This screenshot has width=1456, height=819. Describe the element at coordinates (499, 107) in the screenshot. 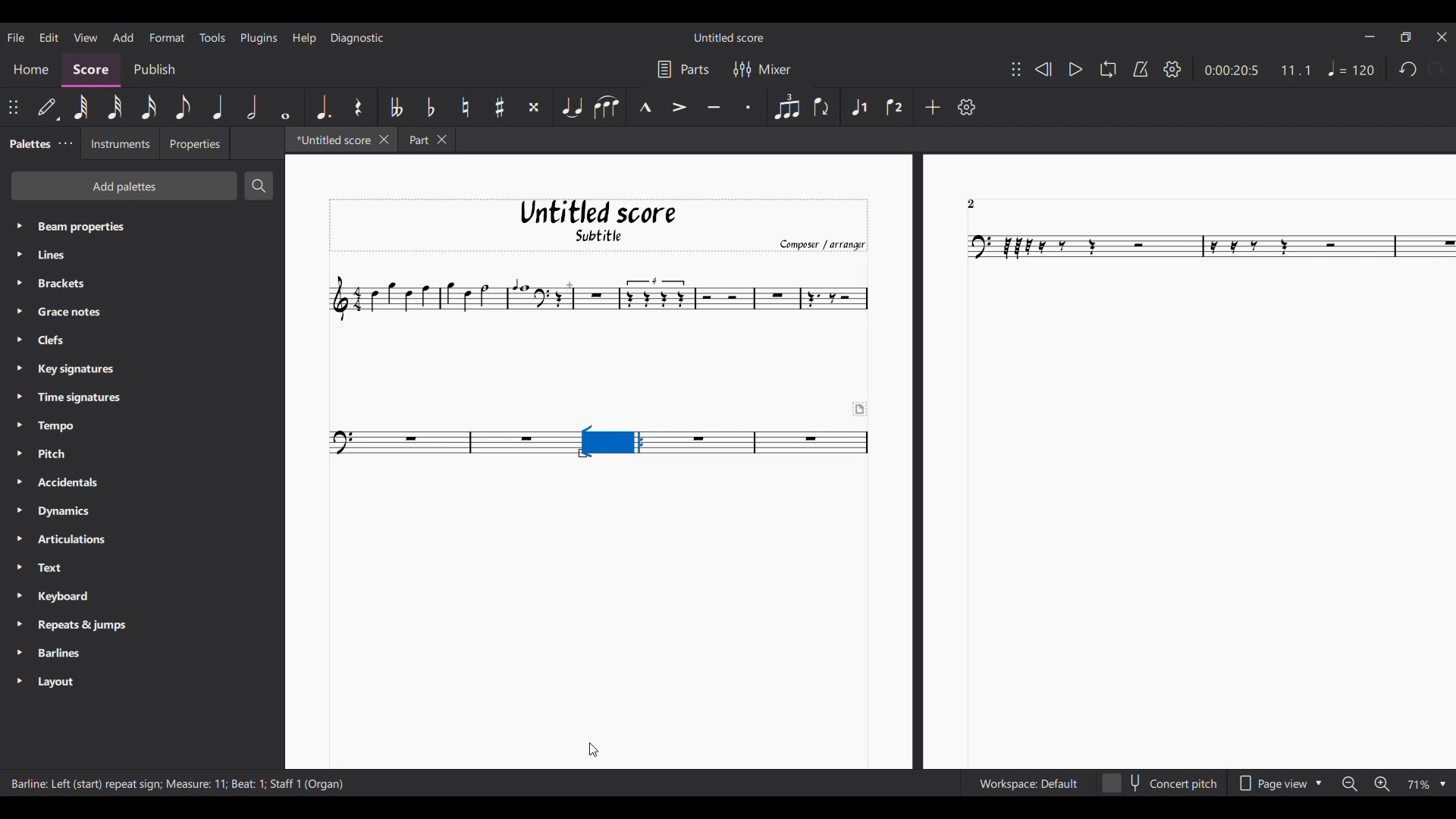

I see `Toggle sharp` at that location.